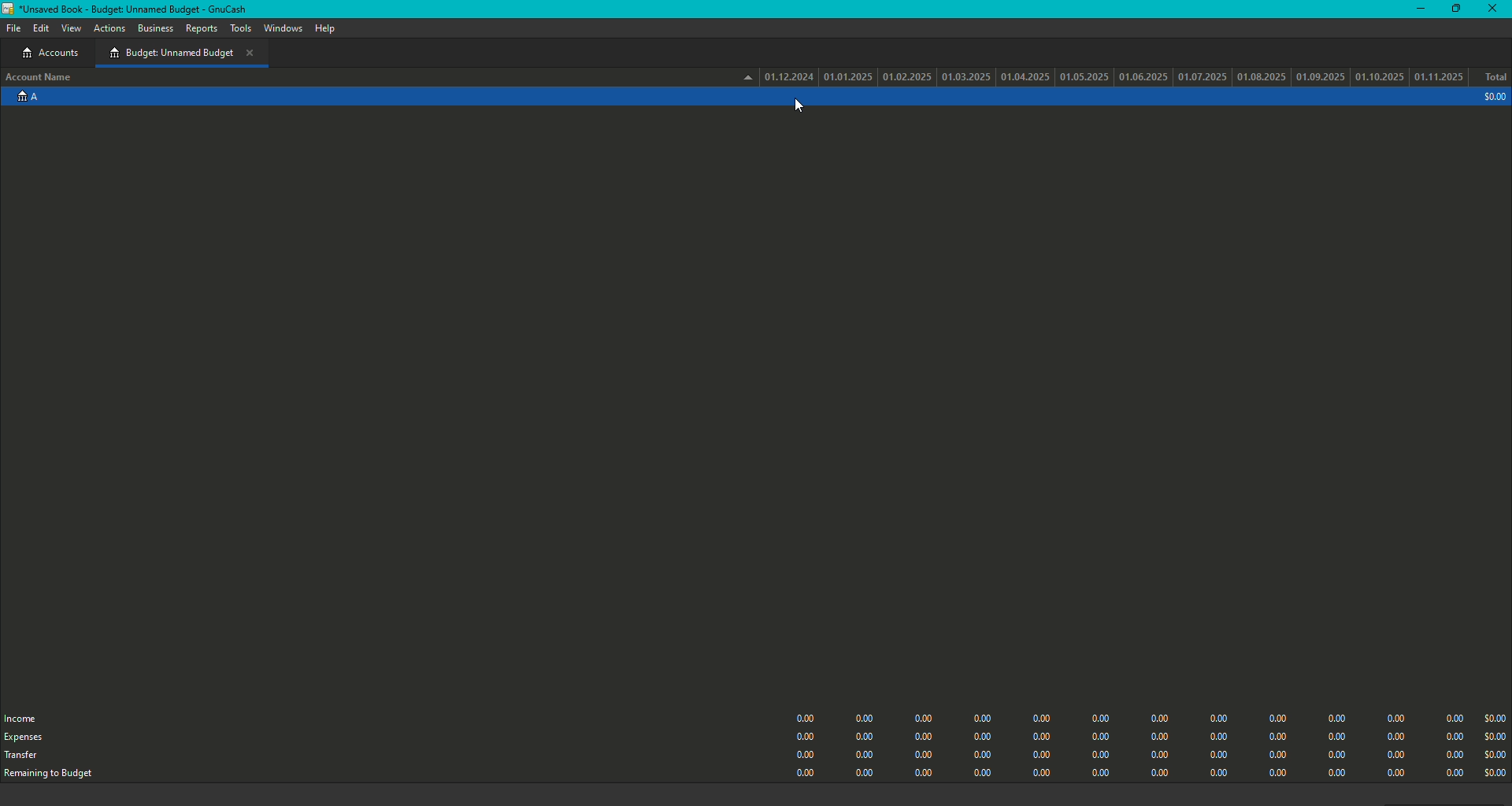 The width and height of the screenshot is (1512, 806). I want to click on Expenses, so click(24, 738).